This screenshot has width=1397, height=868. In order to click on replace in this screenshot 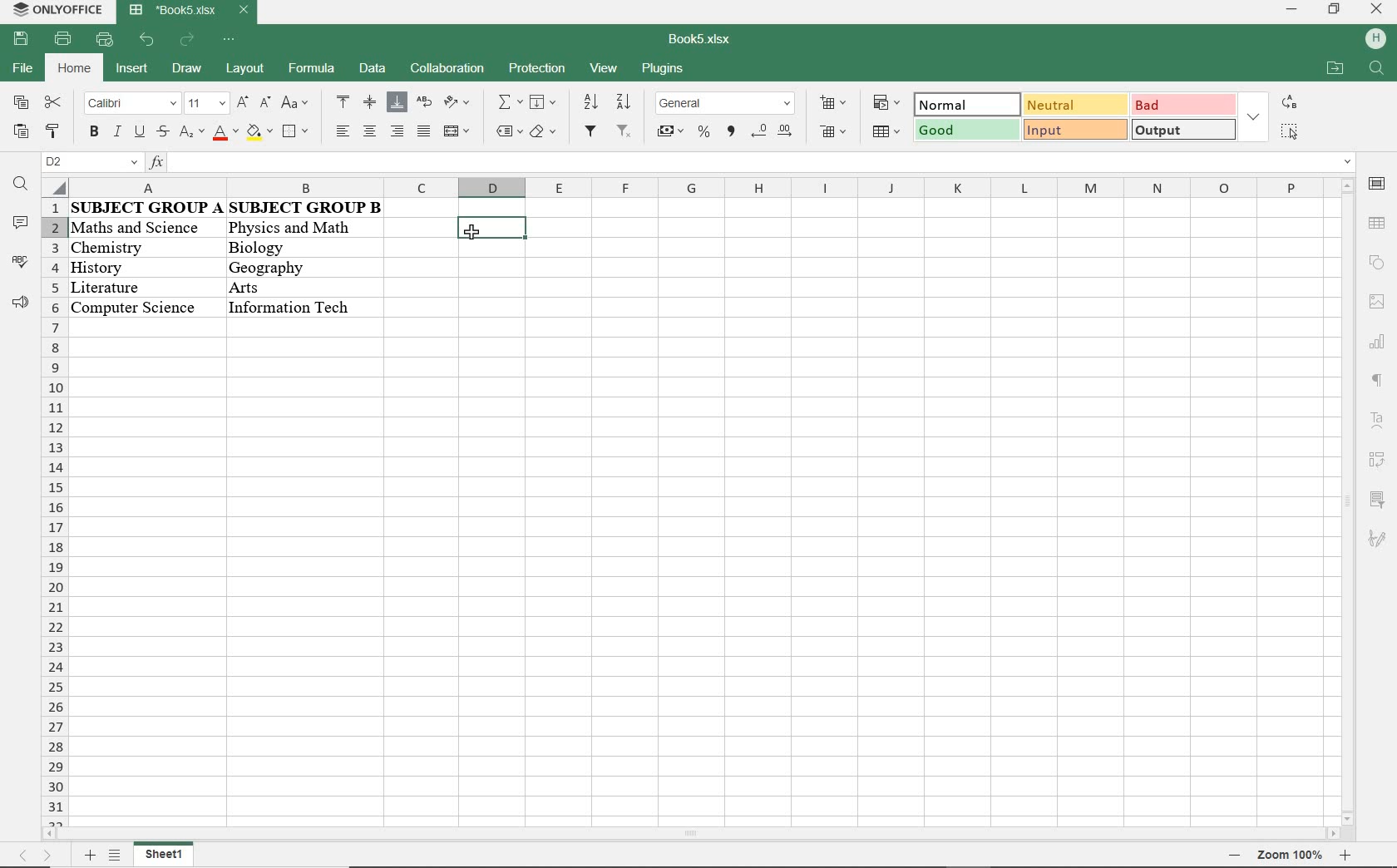, I will do `click(1290, 101)`.